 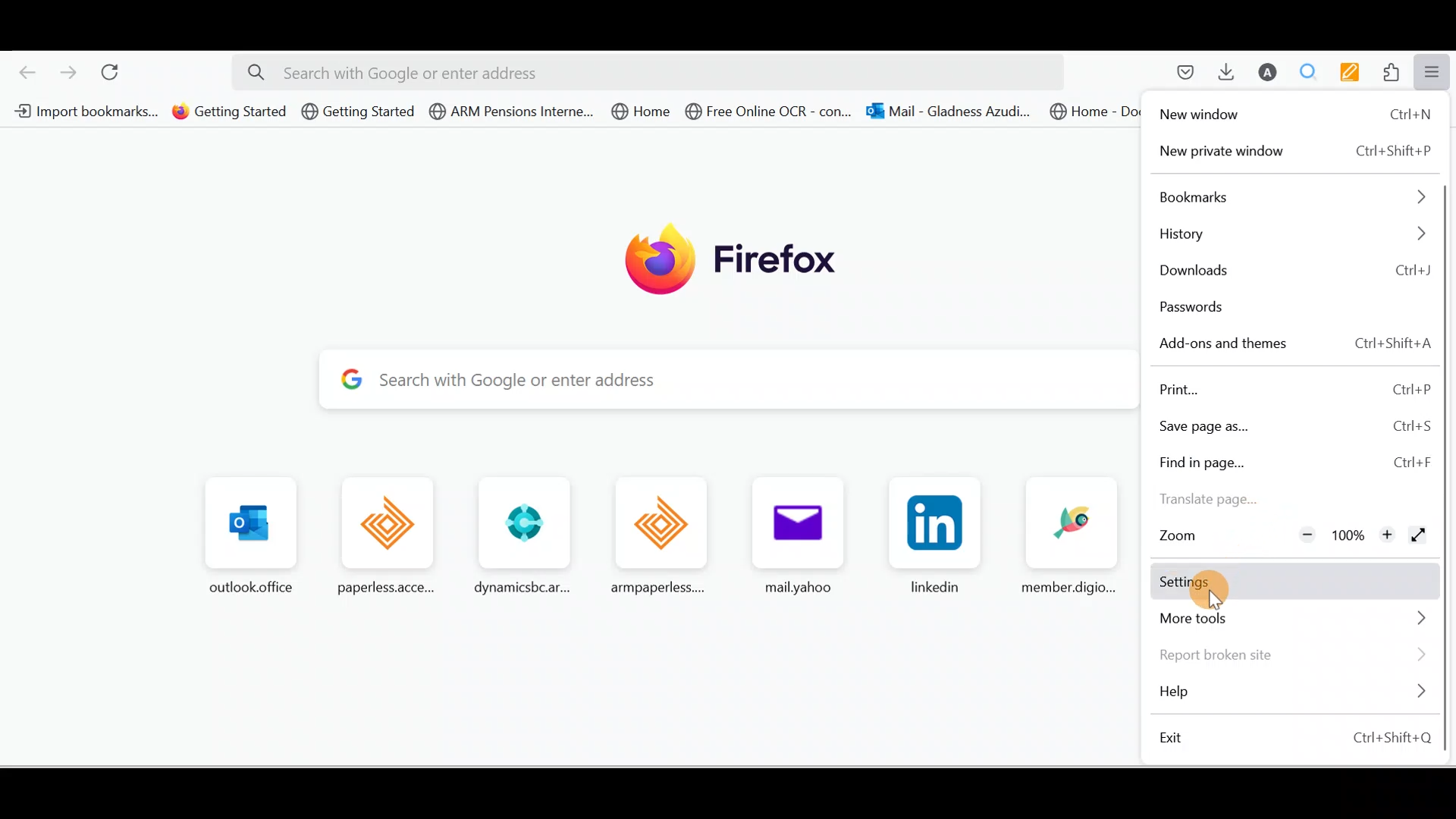 What do you see at coordinates (115, 69) in the screenshot?
I see `Reload current page` at bounding box center [115, 69].